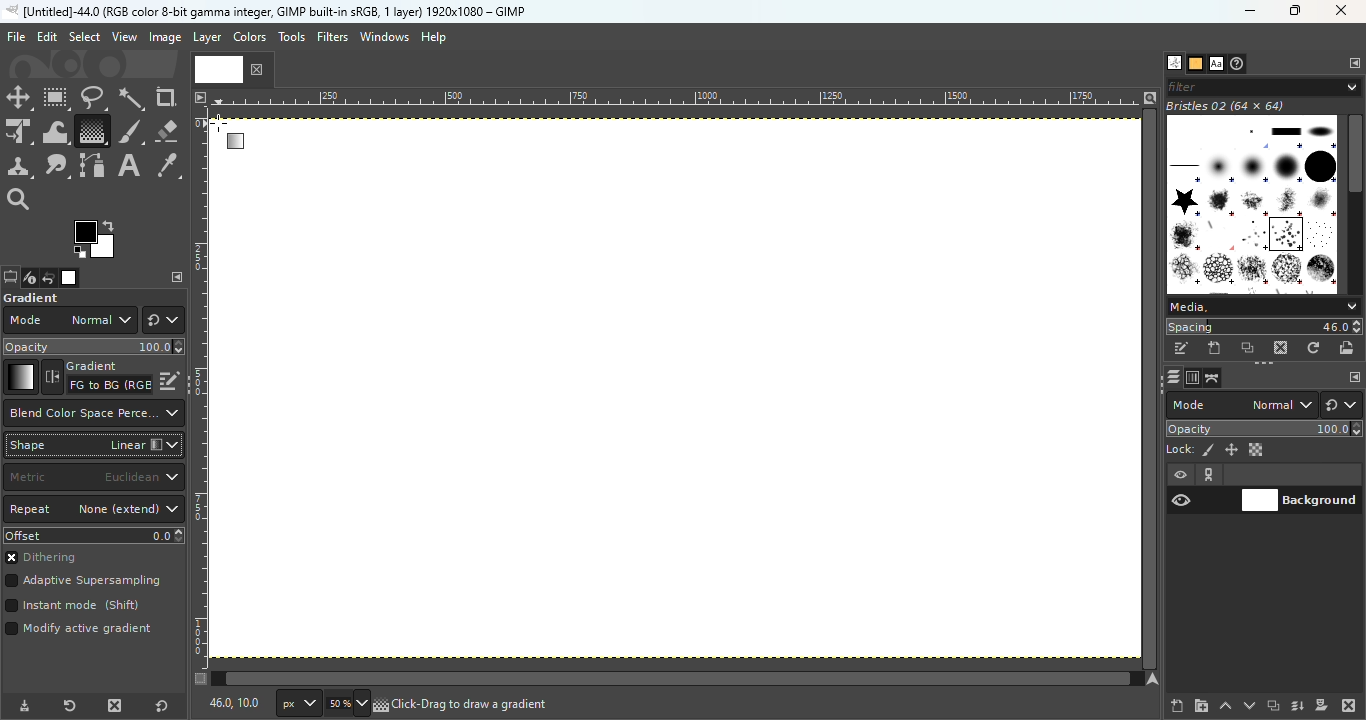  What do you see at coordinates (231, 702) in the screenshot?
I see `460,100` at bounding box center [231, 702].